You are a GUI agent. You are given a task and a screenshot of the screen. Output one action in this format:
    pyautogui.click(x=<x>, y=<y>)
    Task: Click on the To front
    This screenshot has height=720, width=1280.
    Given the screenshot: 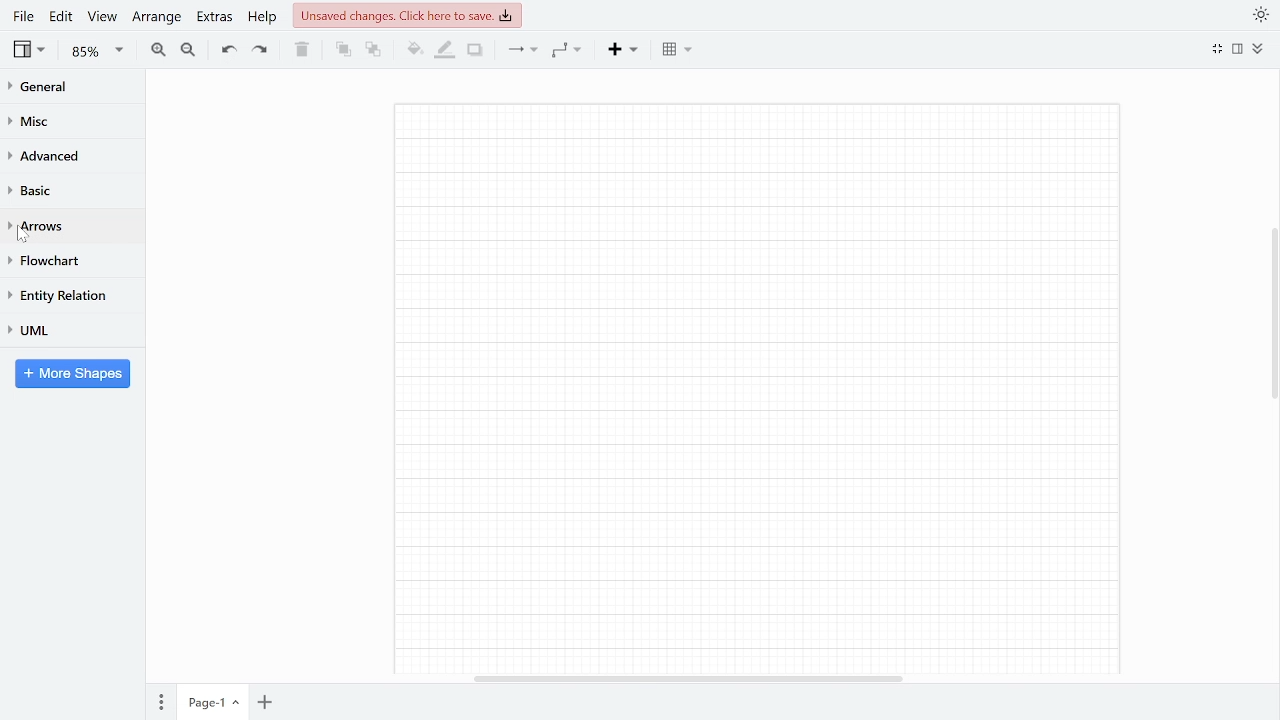 What is the action you would take?
    pyautogui.click(x=342, y=52)
    